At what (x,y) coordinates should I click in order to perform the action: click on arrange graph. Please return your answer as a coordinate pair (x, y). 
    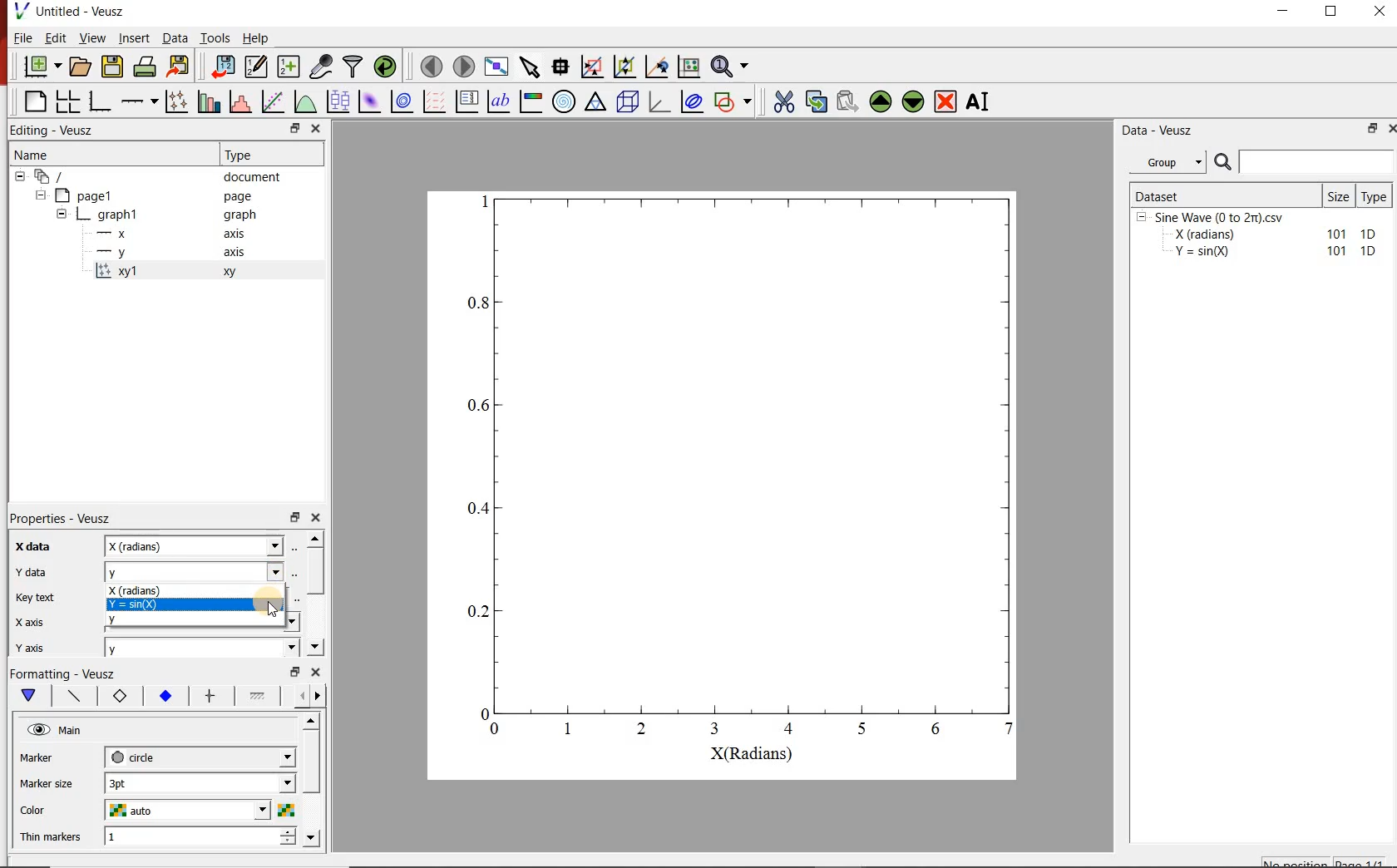
    Looking at the image, I should click on (68, 101).